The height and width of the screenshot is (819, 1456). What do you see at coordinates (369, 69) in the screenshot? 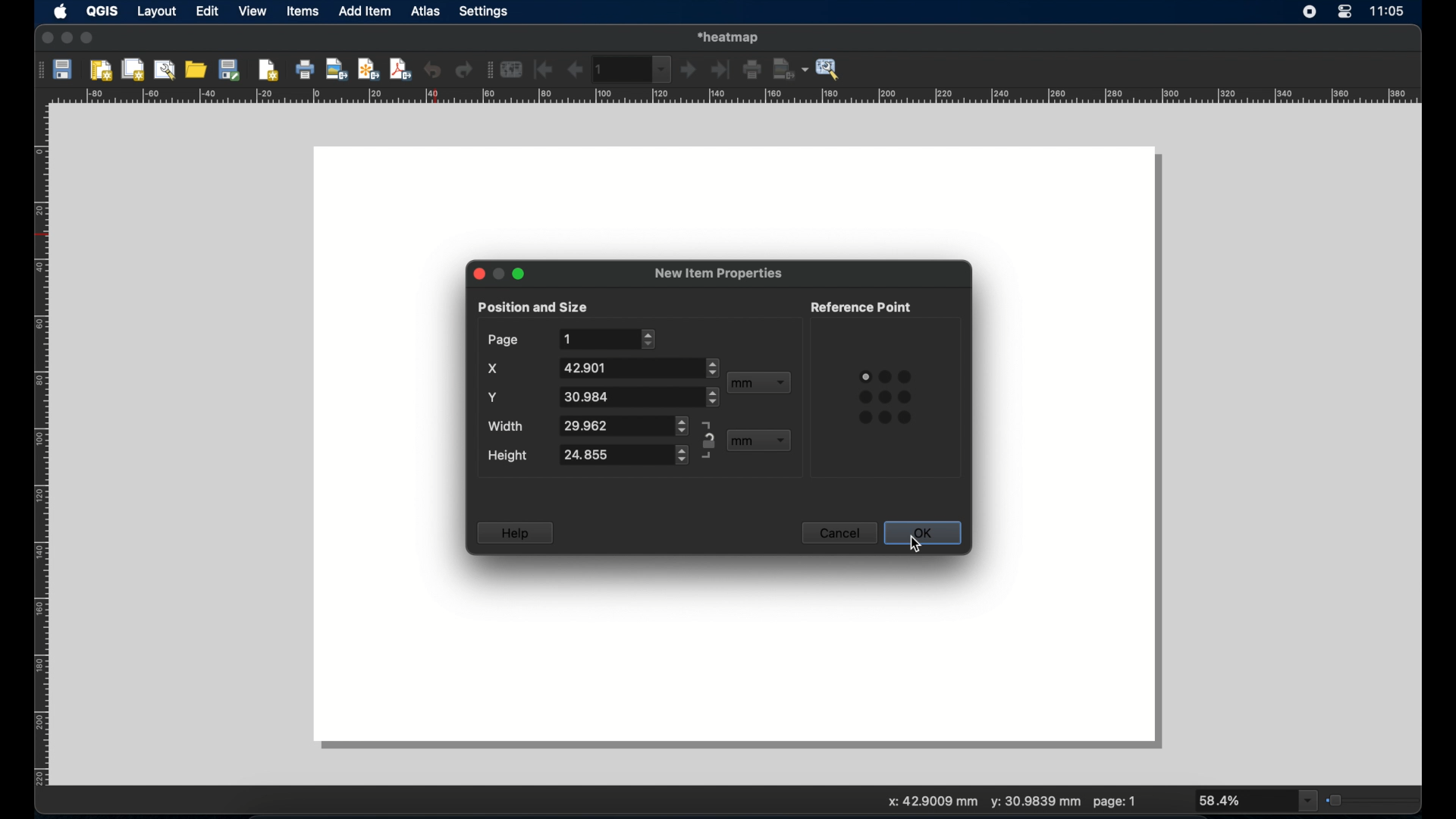
I see `export as svg` at bounding box center [369, 69].